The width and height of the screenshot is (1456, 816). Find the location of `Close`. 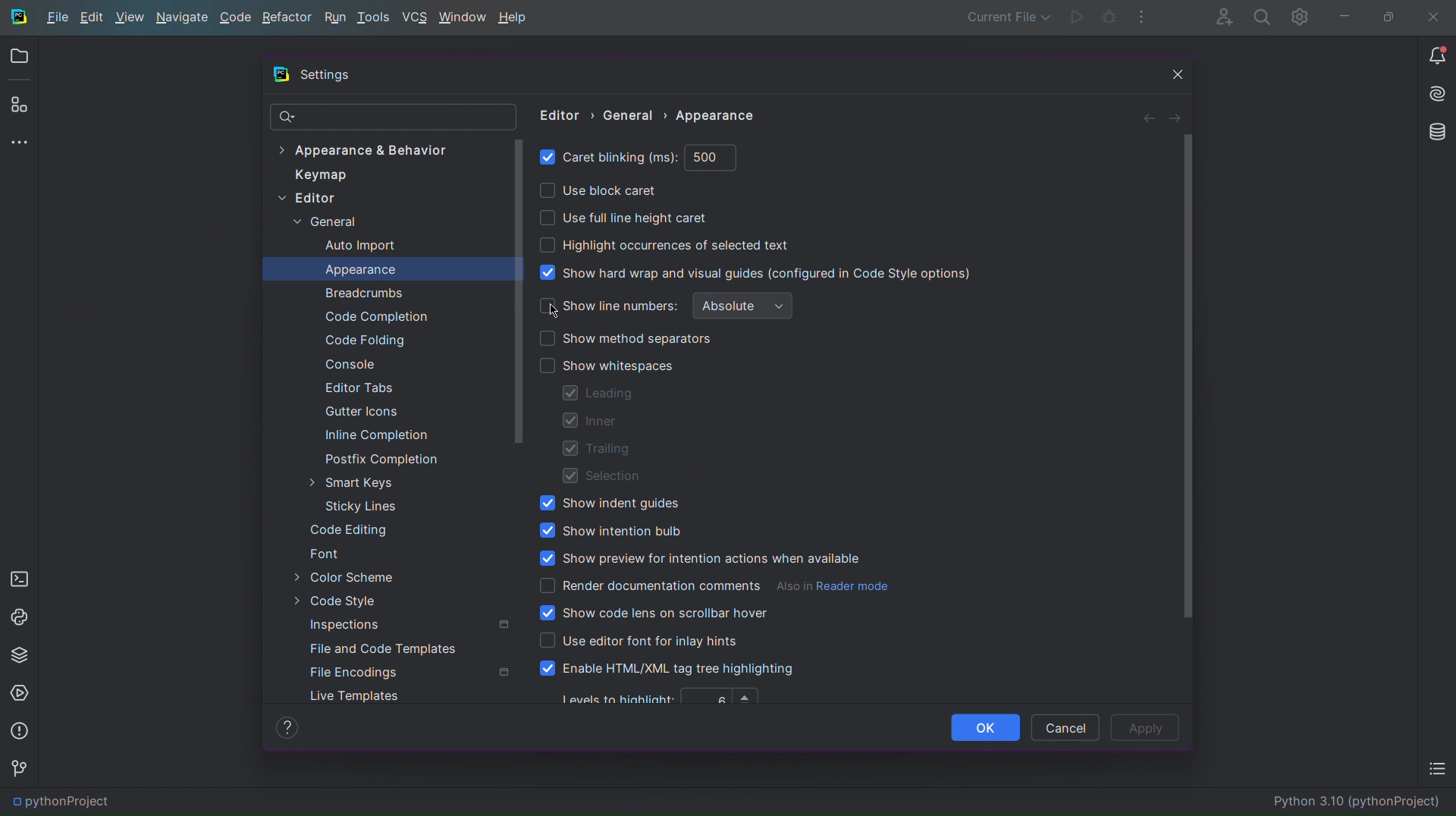

Close is located at coordinates (1173, 75).